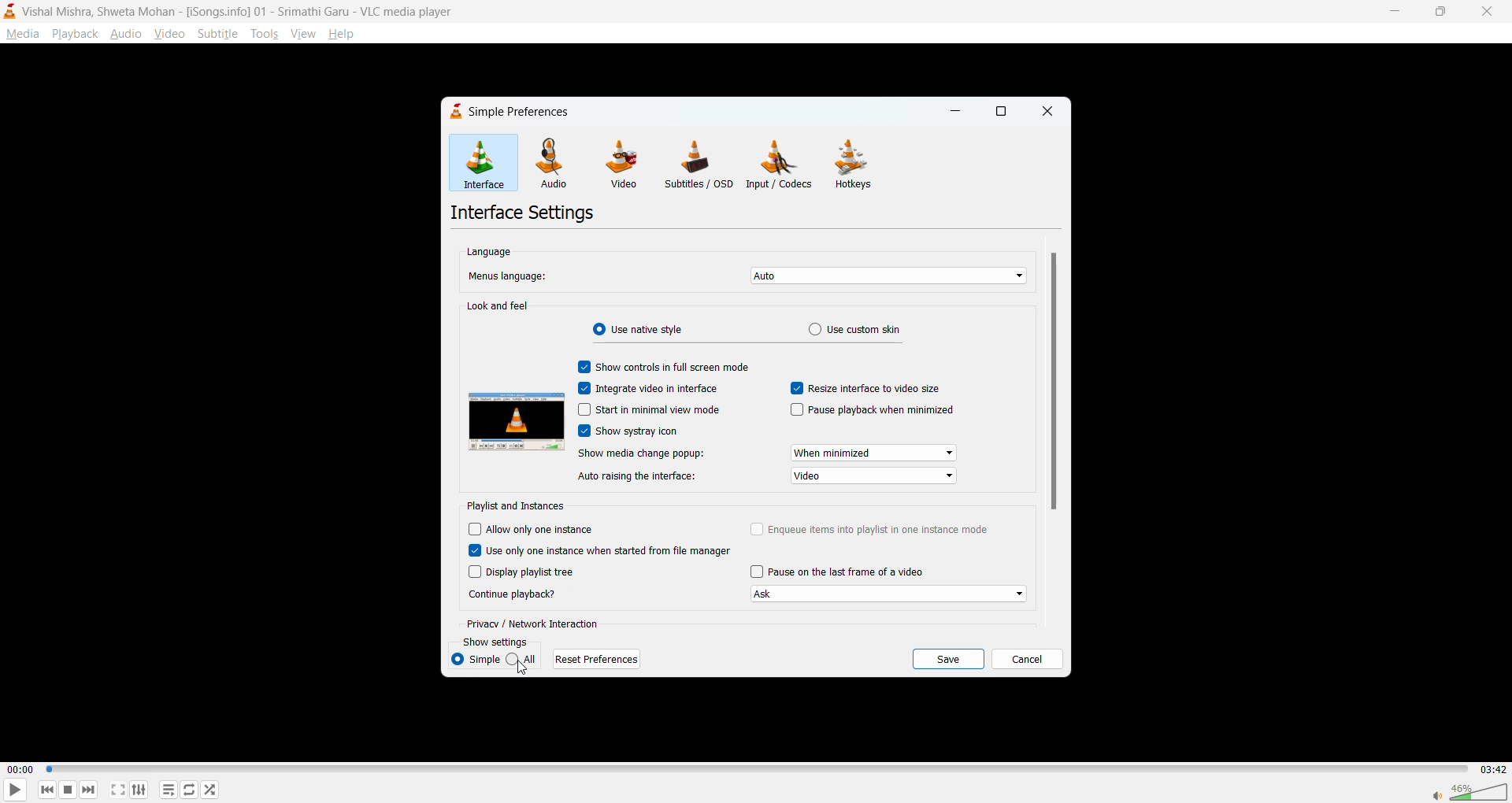 This screenshot has width=1512, height=803. What do you see at coordinates (508, 276) in the screenshot?
I see `menus language` at bounding box center [508, 276].